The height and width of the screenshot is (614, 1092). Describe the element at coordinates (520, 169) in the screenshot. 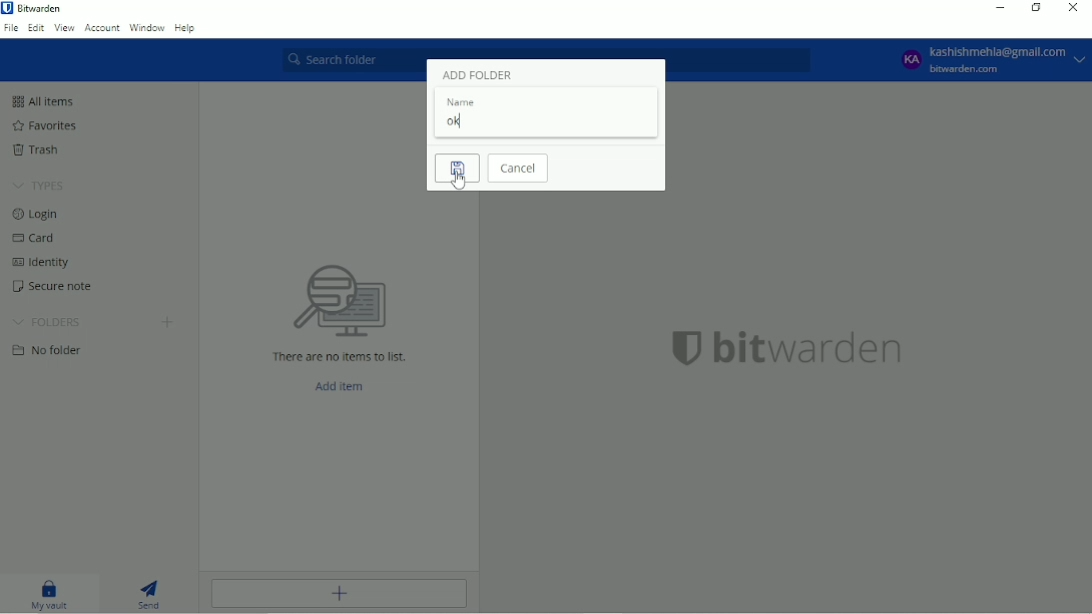

I see `Cancel` at that location.